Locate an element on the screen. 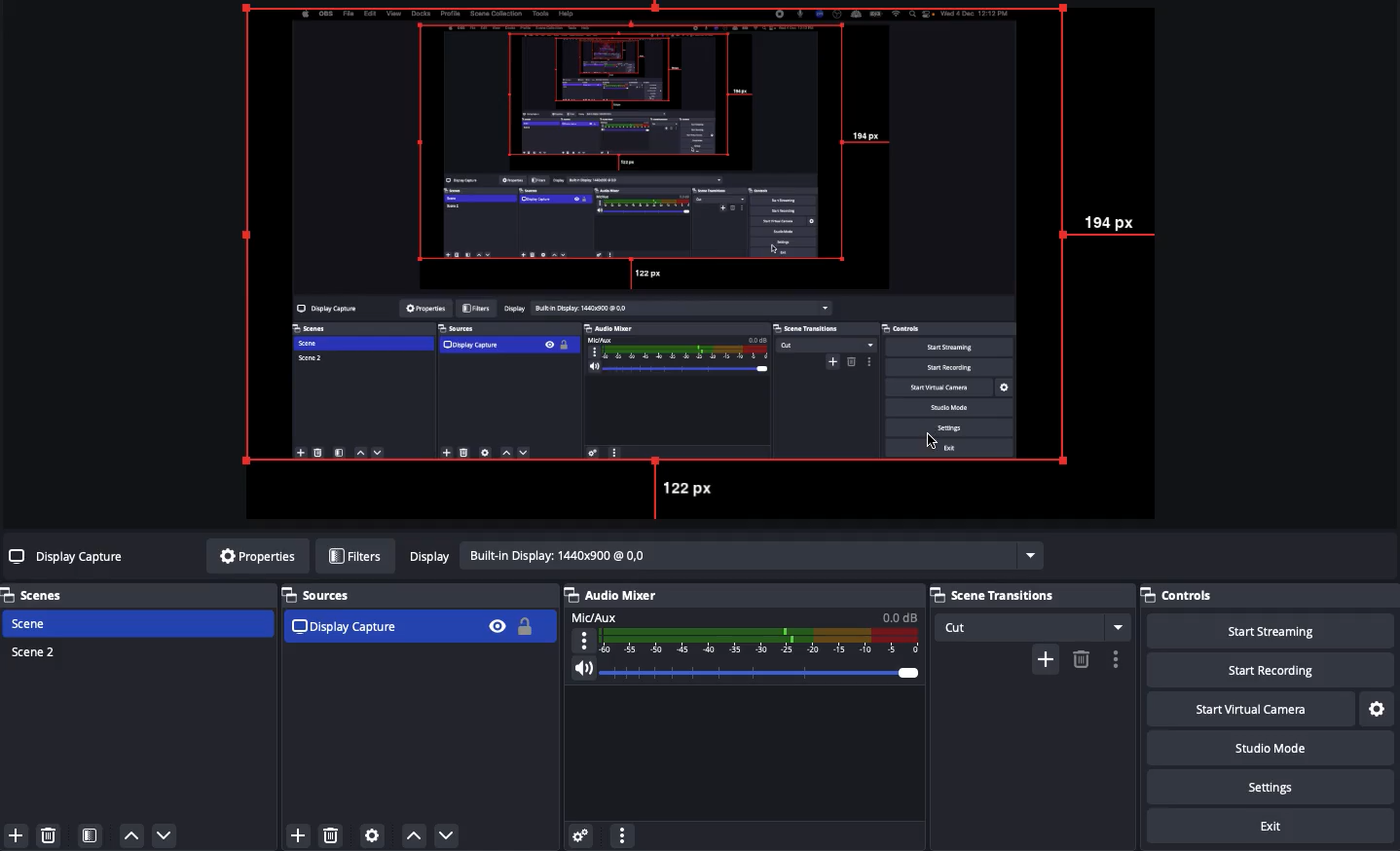  Settings is located at coordinates (1282, 787).